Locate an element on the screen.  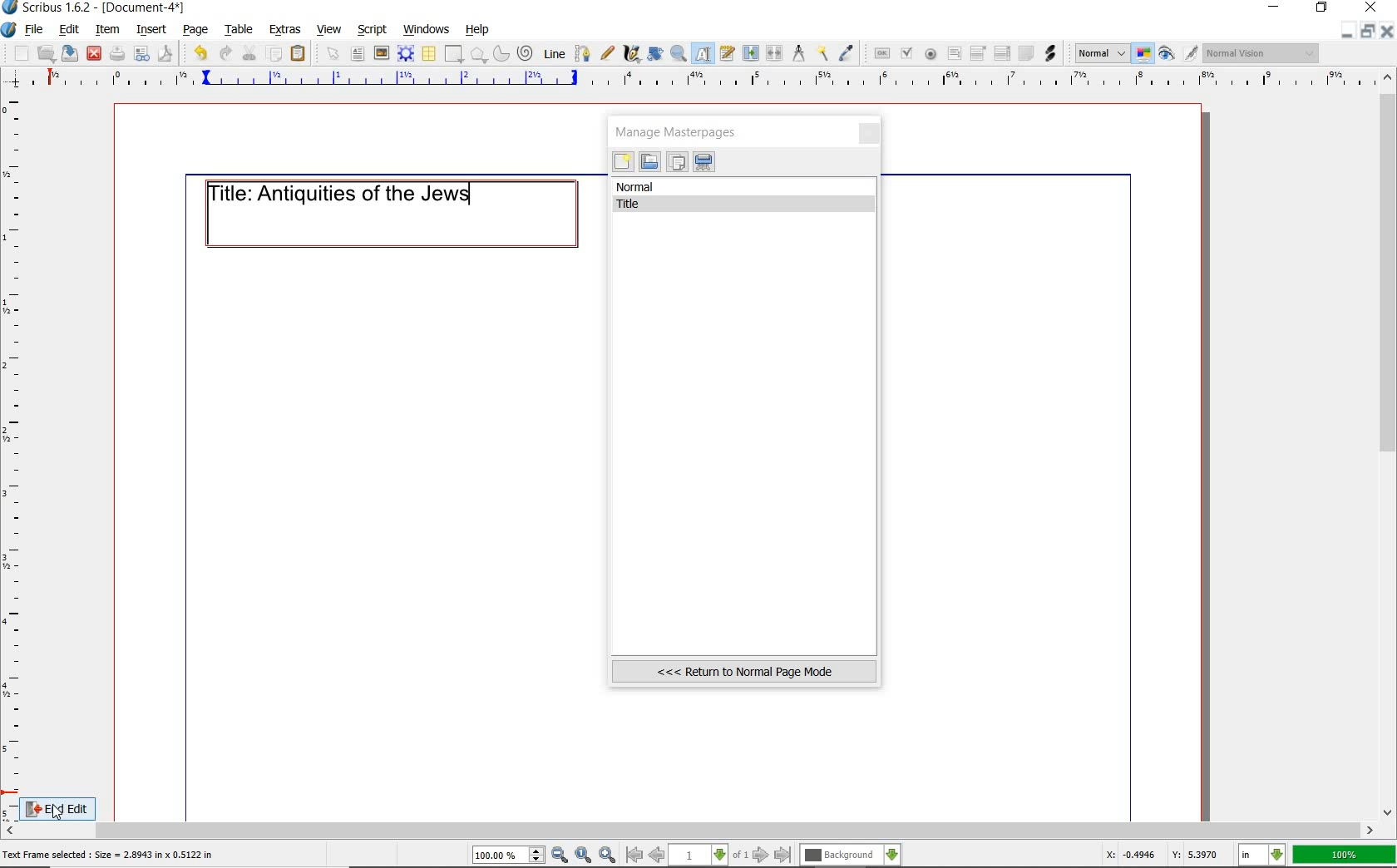
text annotation is located at coordinates (1025, 54).